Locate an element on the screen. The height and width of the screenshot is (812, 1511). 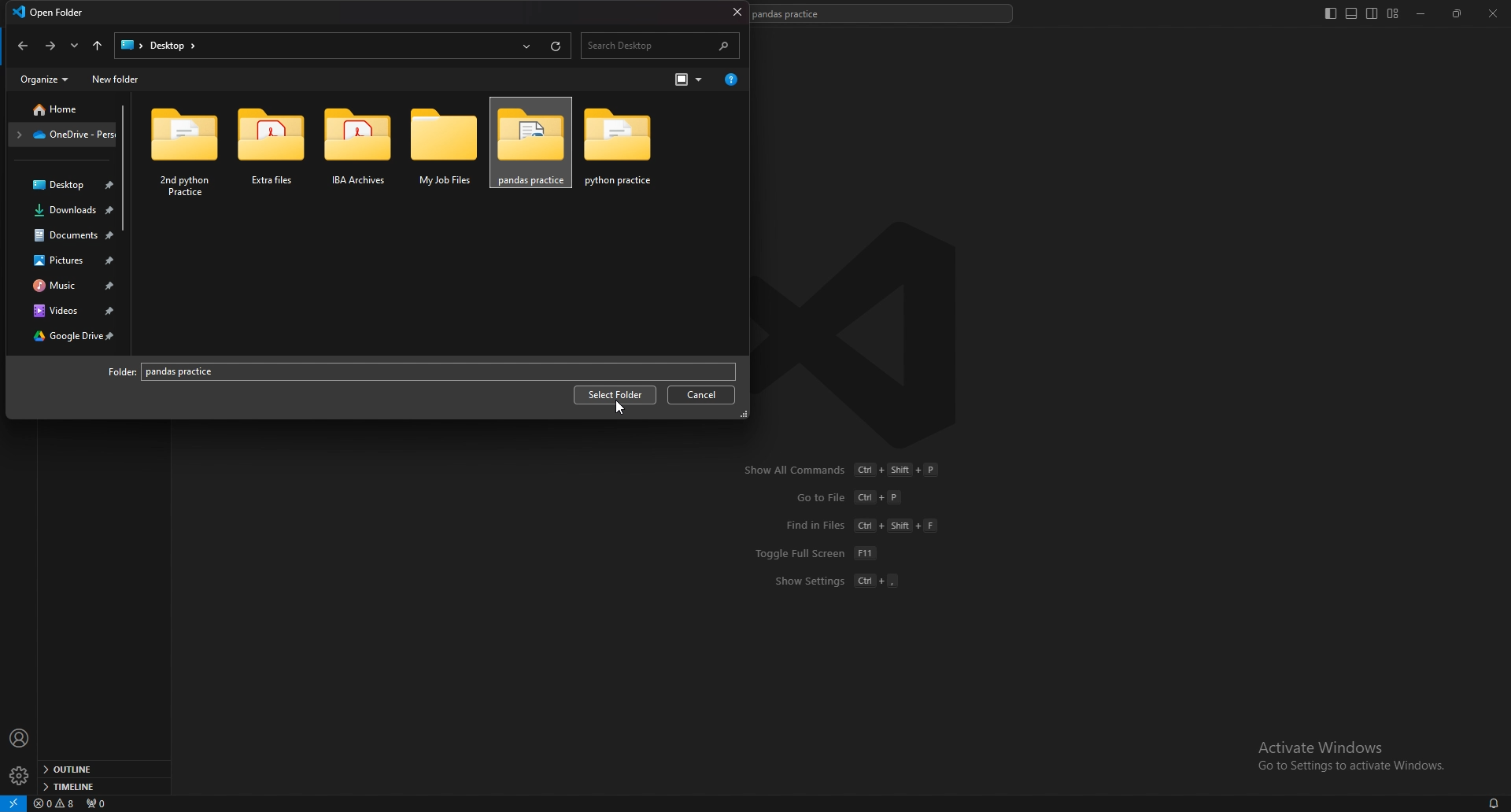
my job files is located at coordinates (438, 149).